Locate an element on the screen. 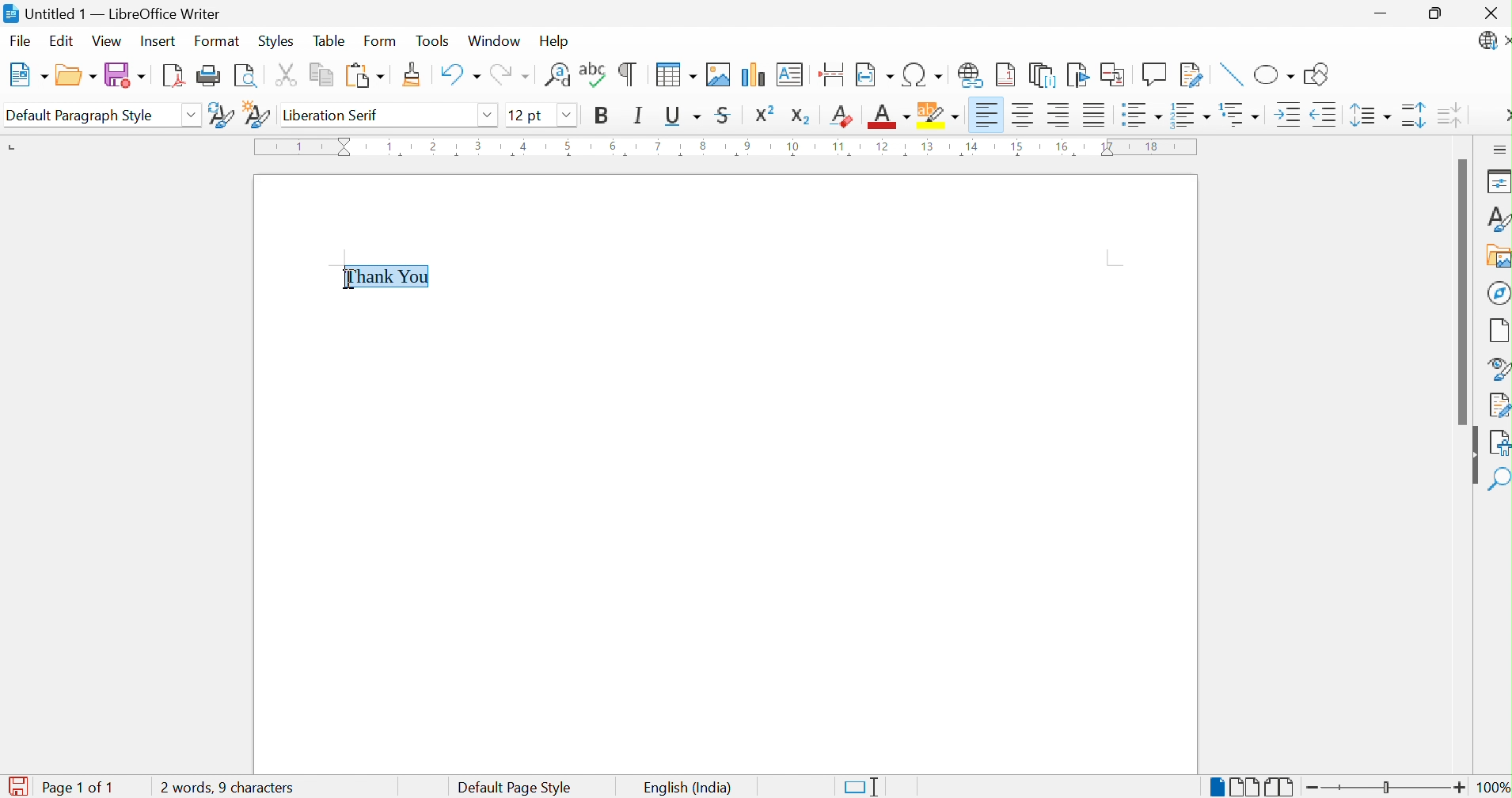 Image resolution: width=1512 pixels, height=798 pixels. More is located at coordinates (1503, 116).